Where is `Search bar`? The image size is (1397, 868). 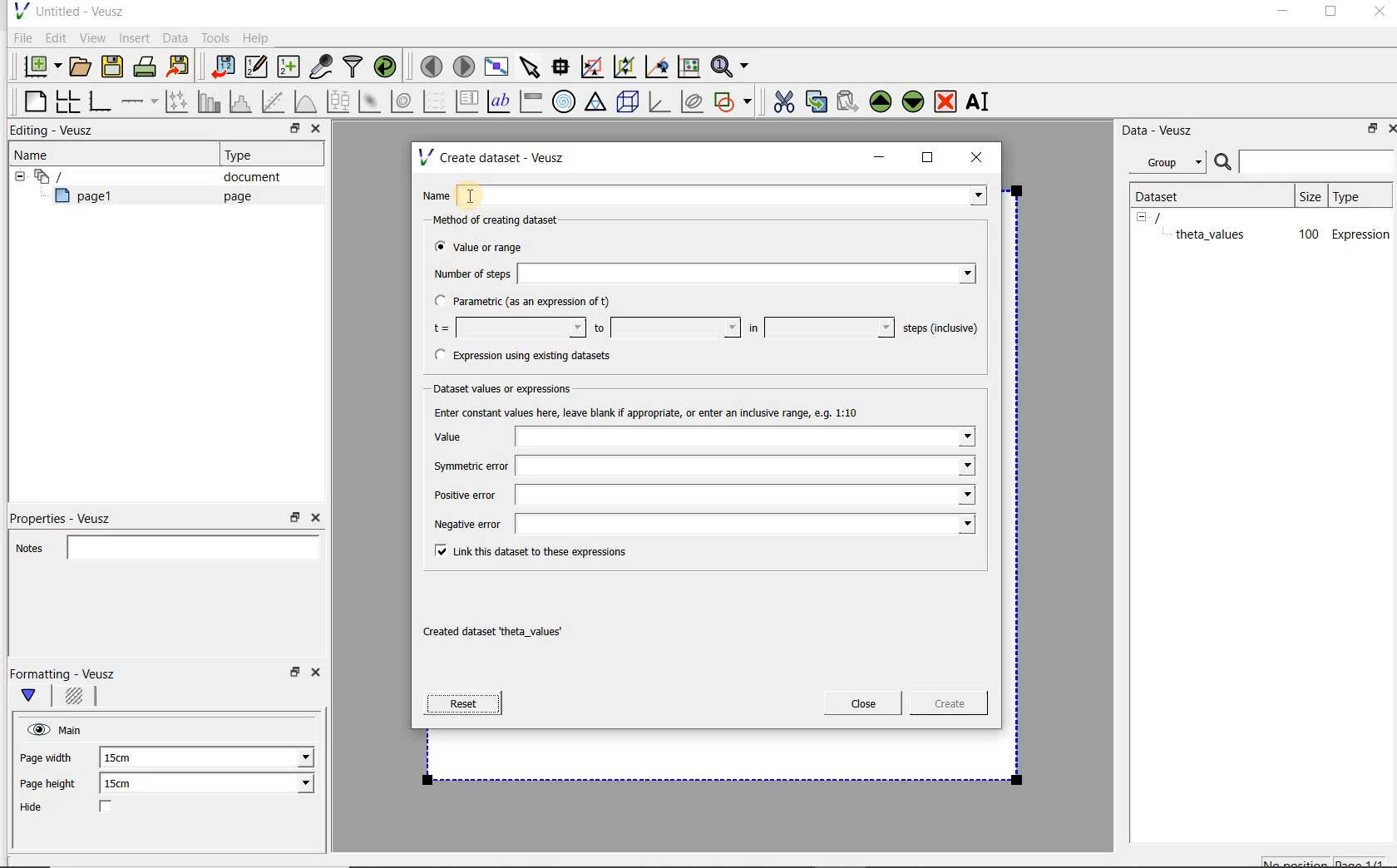 Search bar is located at coordinates (1305, 160).